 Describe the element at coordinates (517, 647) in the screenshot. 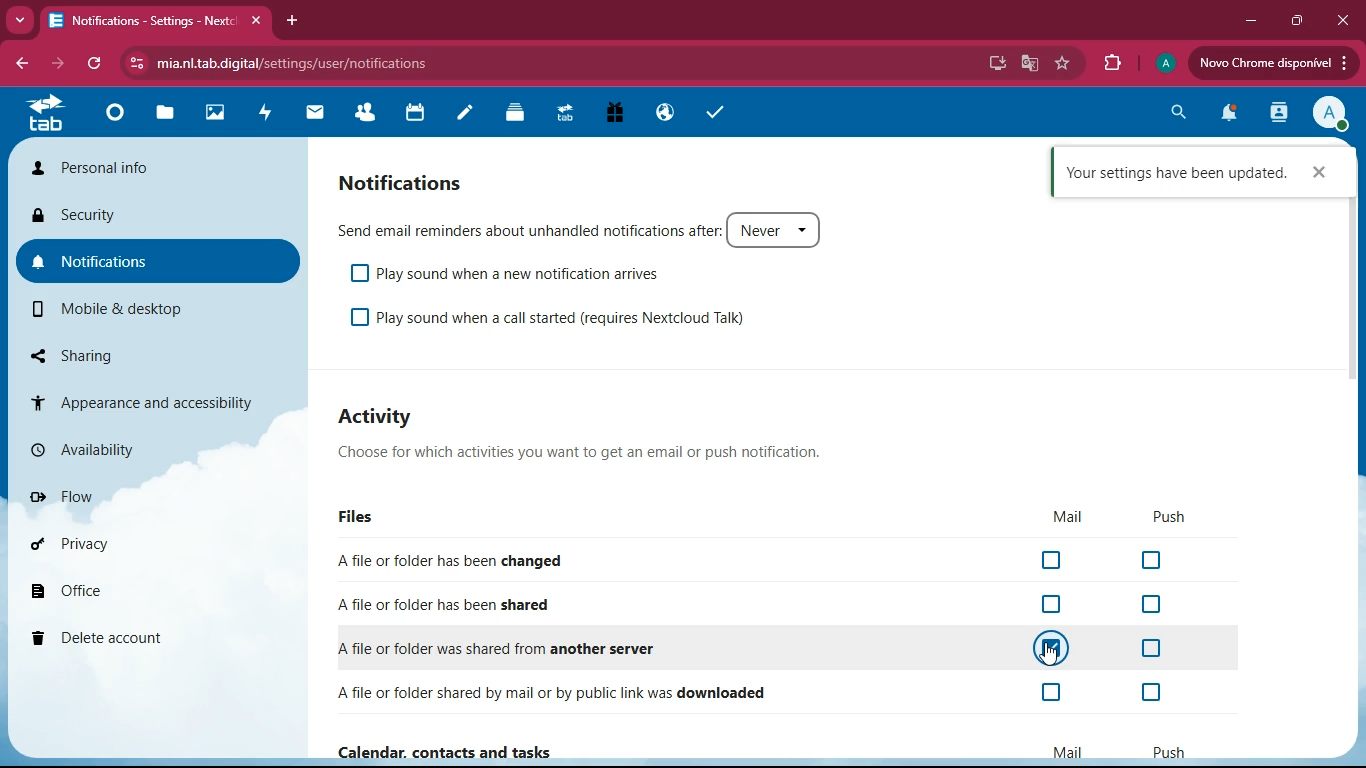

I see `another server` at that location.